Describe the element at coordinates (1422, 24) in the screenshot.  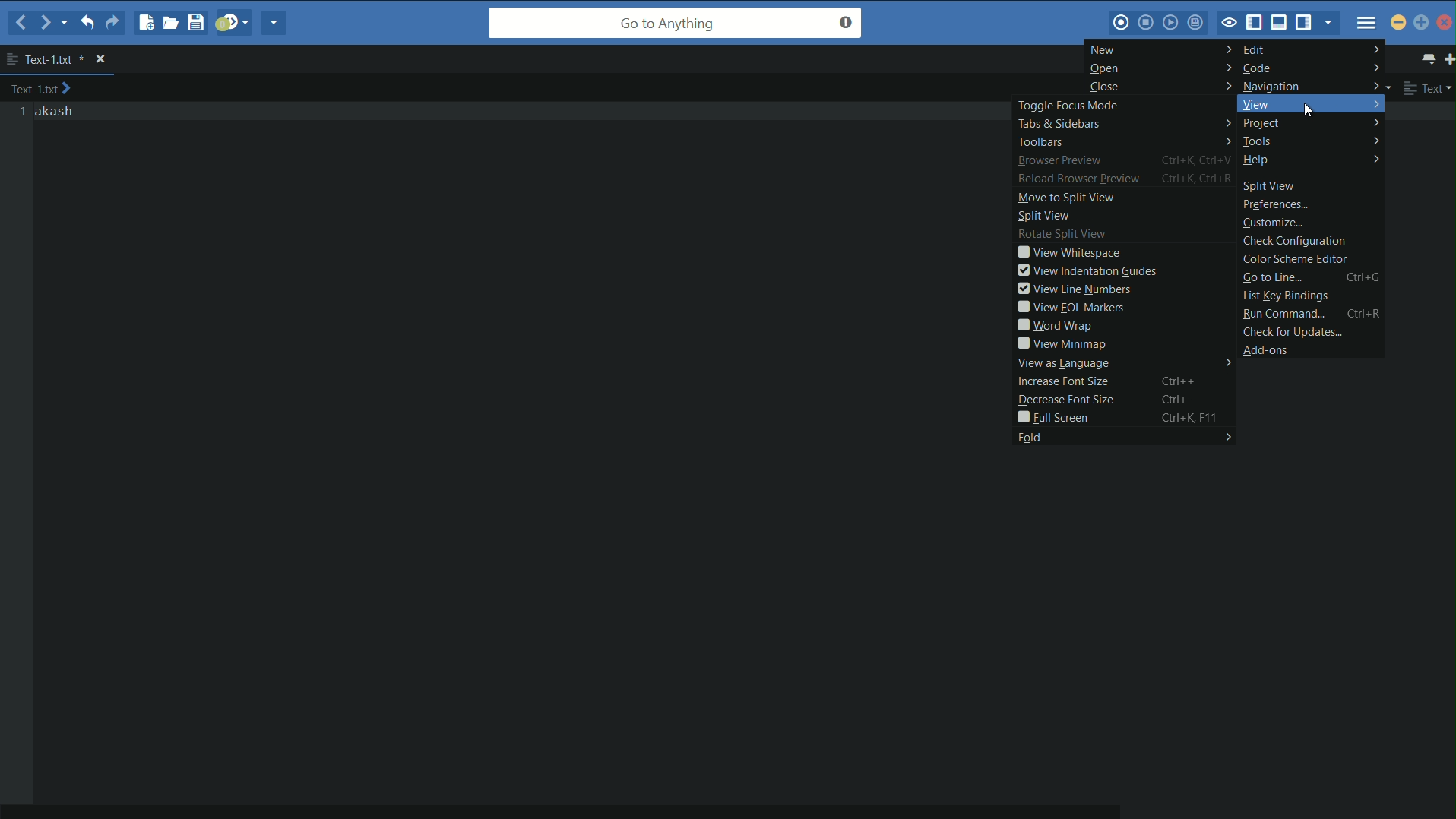
I see `maximize` at that location.